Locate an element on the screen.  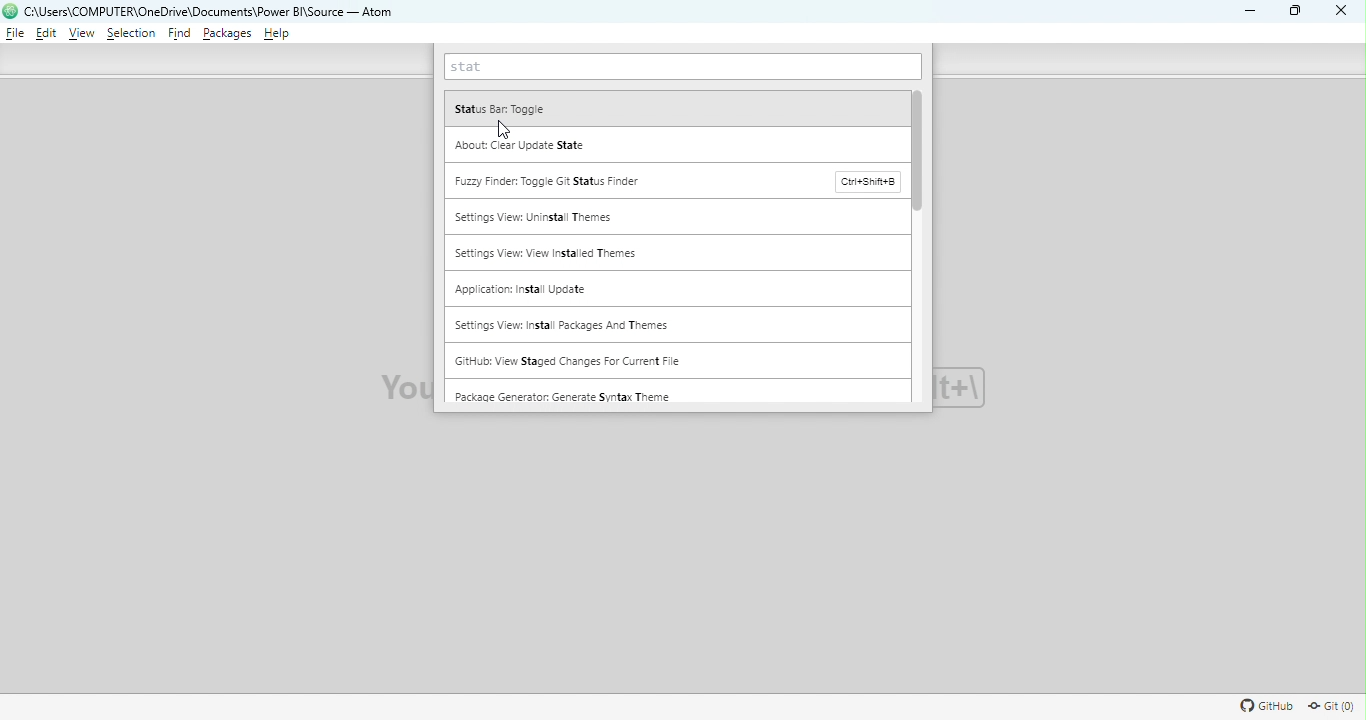
File is located at coordinates (15, 33).